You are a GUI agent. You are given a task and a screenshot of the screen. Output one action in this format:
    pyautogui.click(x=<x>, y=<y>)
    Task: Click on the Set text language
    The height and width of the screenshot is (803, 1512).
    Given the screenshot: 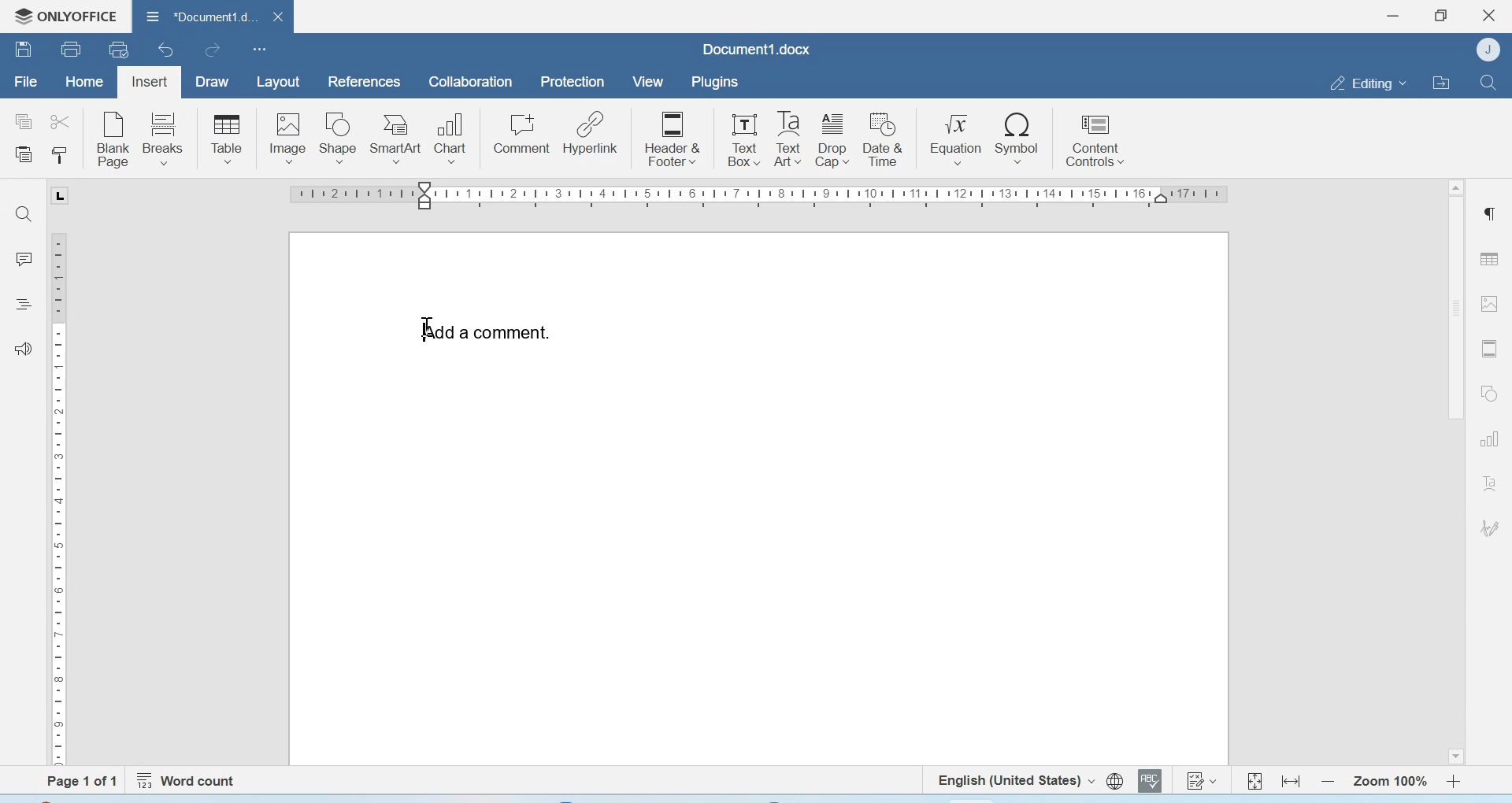 What is the action you would take?
    pyautogui.click(x=1014, y=779)
    